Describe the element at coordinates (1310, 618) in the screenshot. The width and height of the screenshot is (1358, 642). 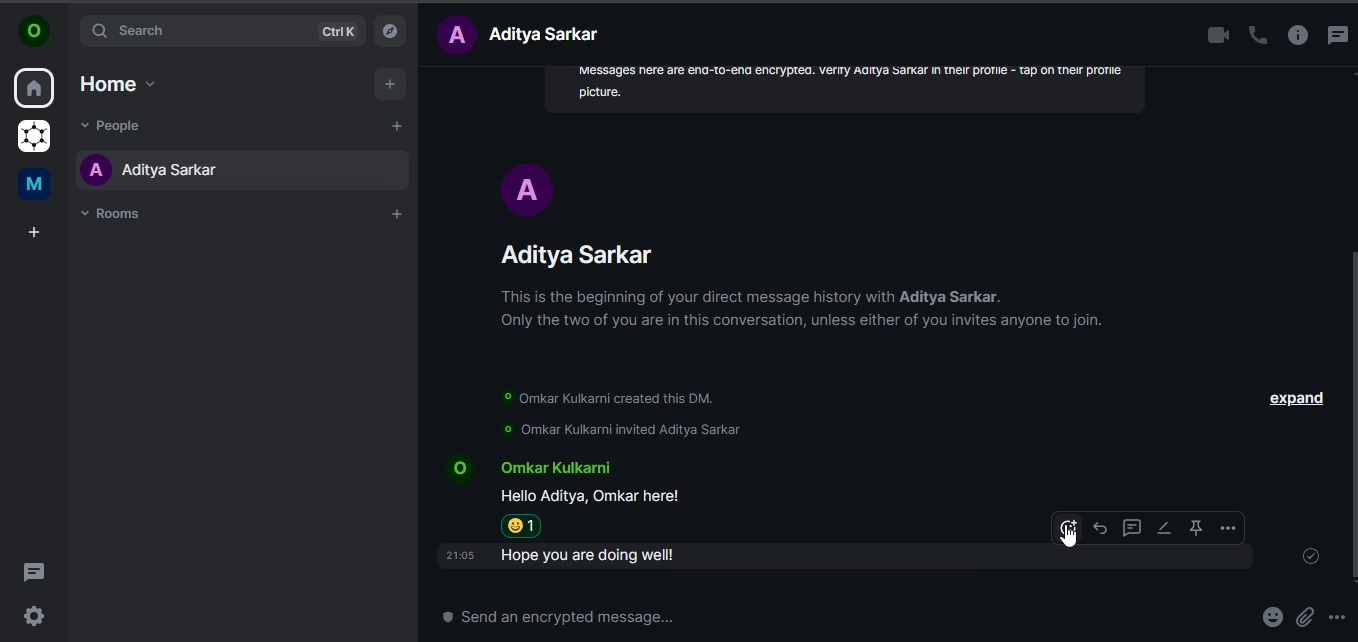
I see `attachments` at that location.